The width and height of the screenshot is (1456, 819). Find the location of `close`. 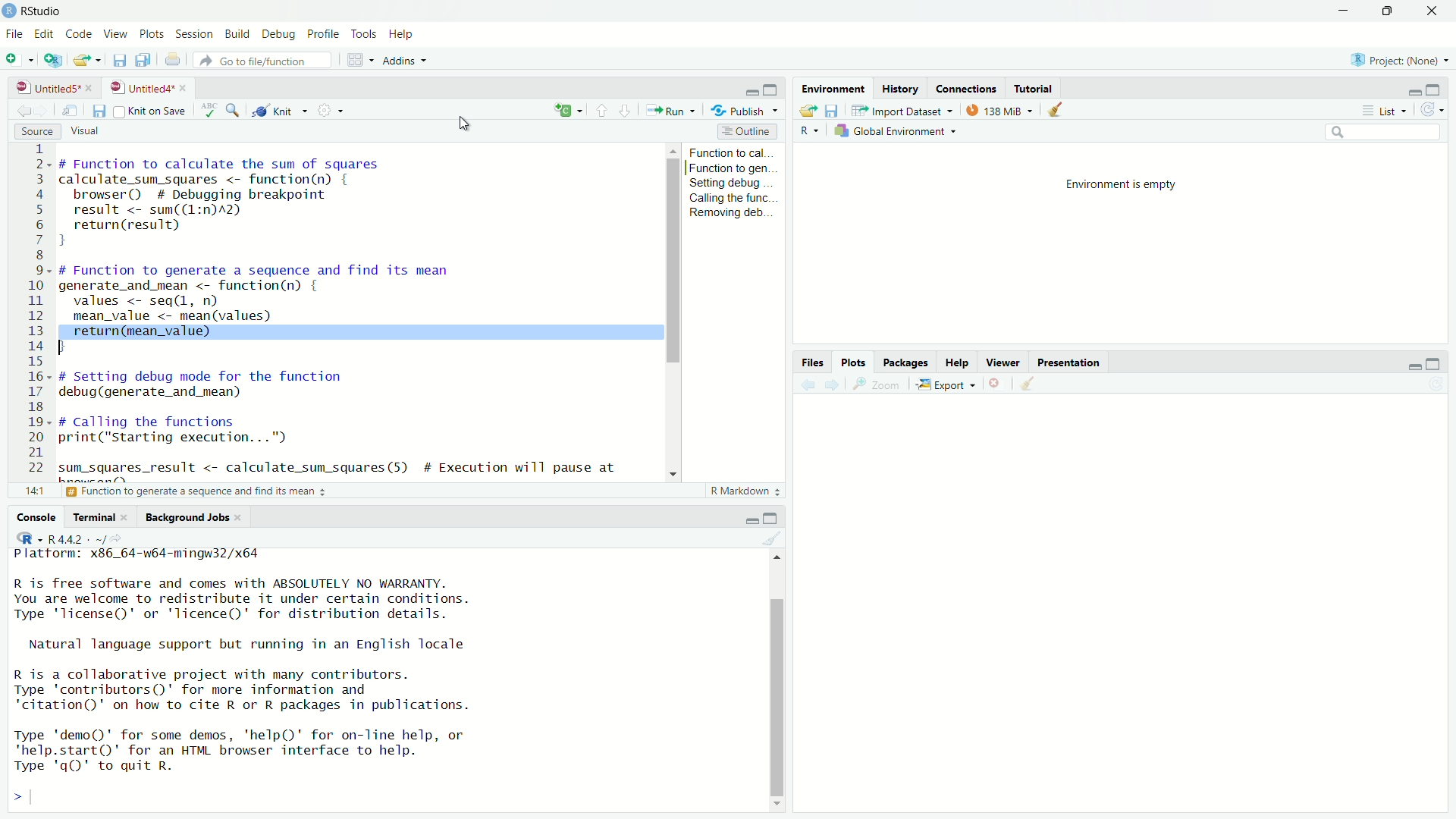

close is located at coordinates (243, 518).